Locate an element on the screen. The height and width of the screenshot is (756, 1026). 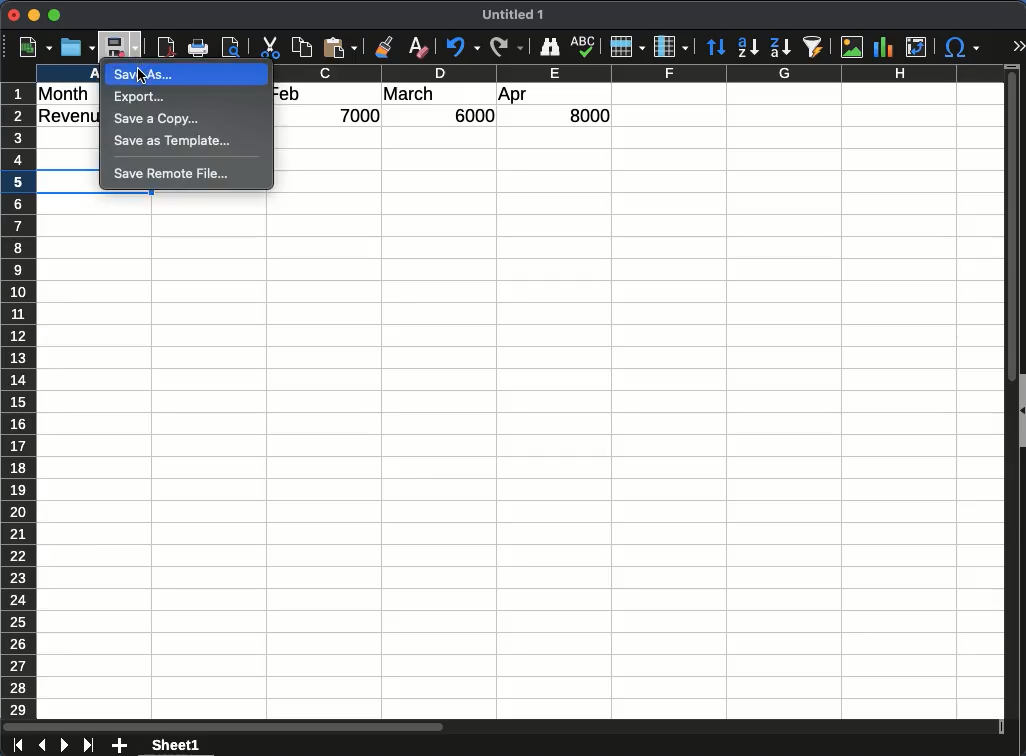
cut is located at coordinates (269, 46).